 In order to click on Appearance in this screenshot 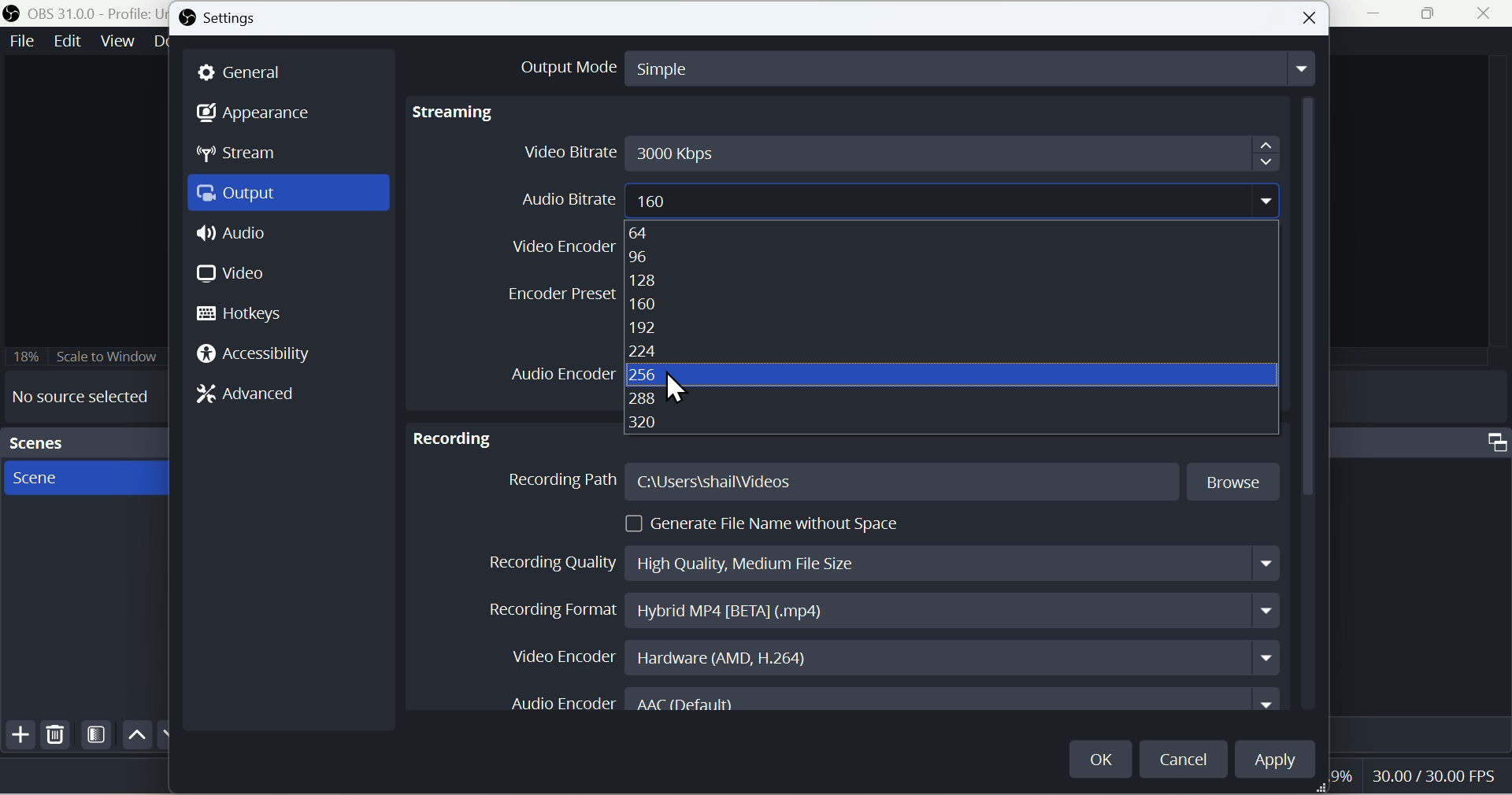, I will do `click(265, 115)`.